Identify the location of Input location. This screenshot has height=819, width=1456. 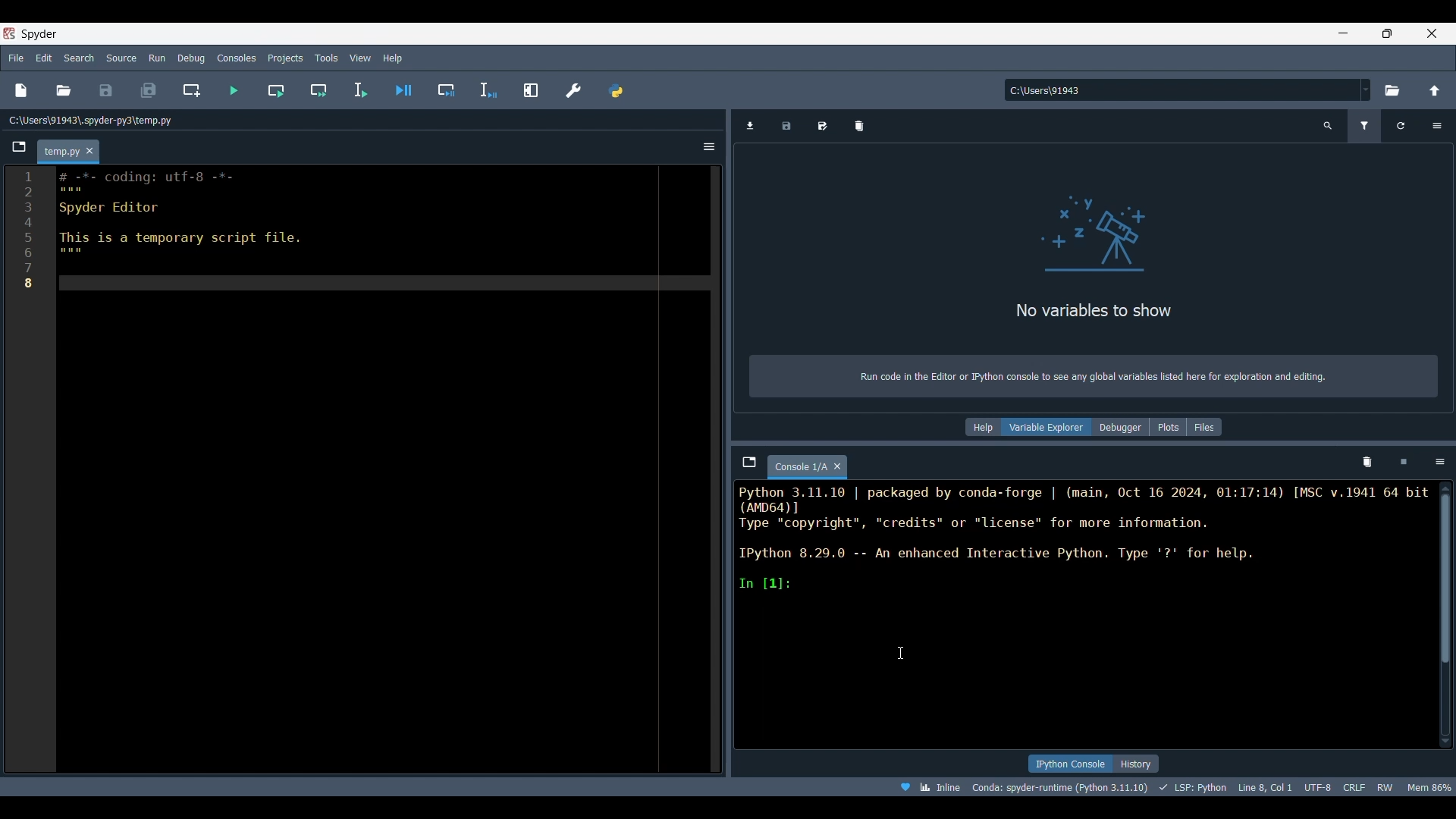
(1181, 90).